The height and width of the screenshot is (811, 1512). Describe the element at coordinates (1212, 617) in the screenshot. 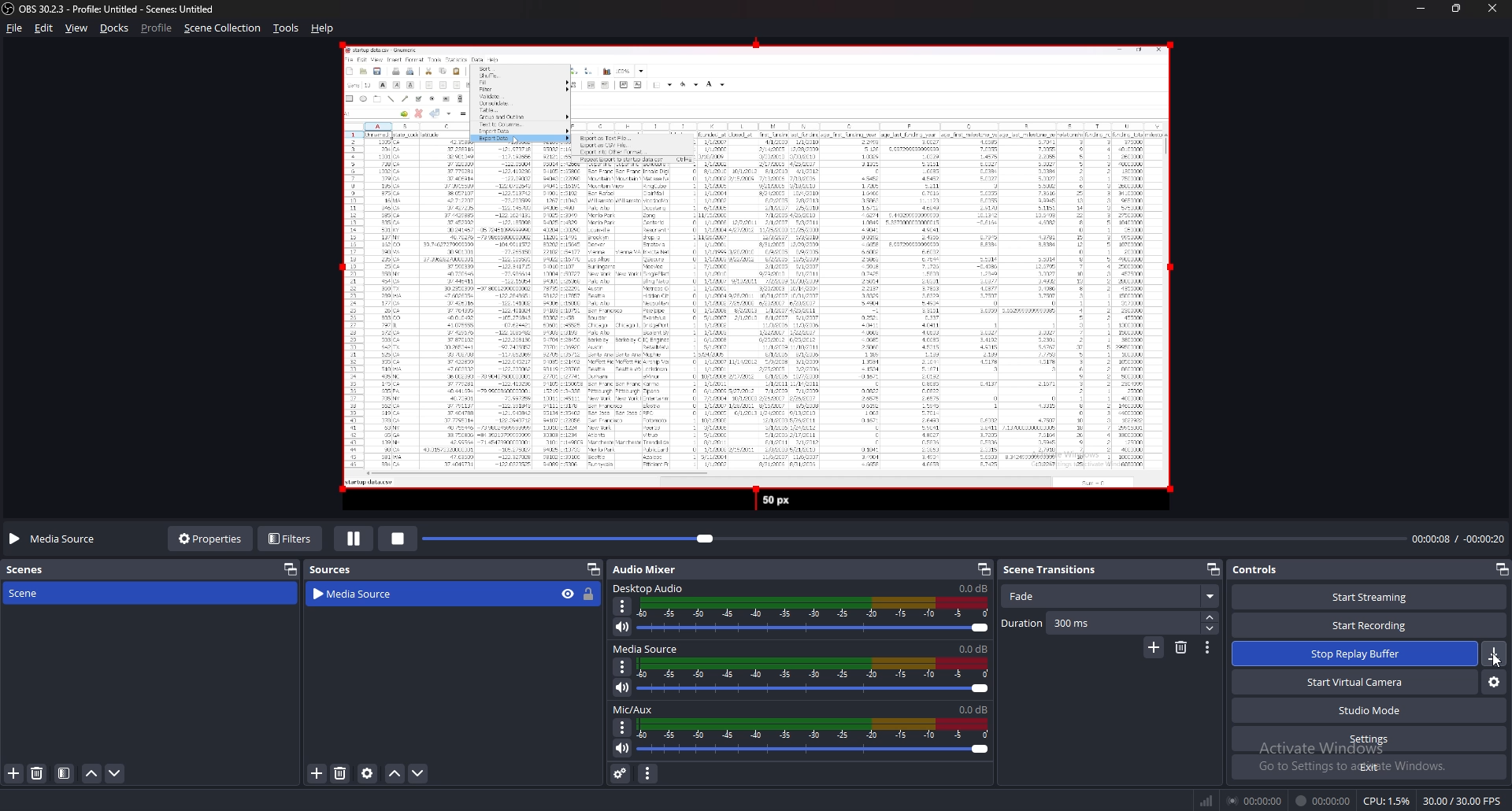

I see `increase duration` at that location.